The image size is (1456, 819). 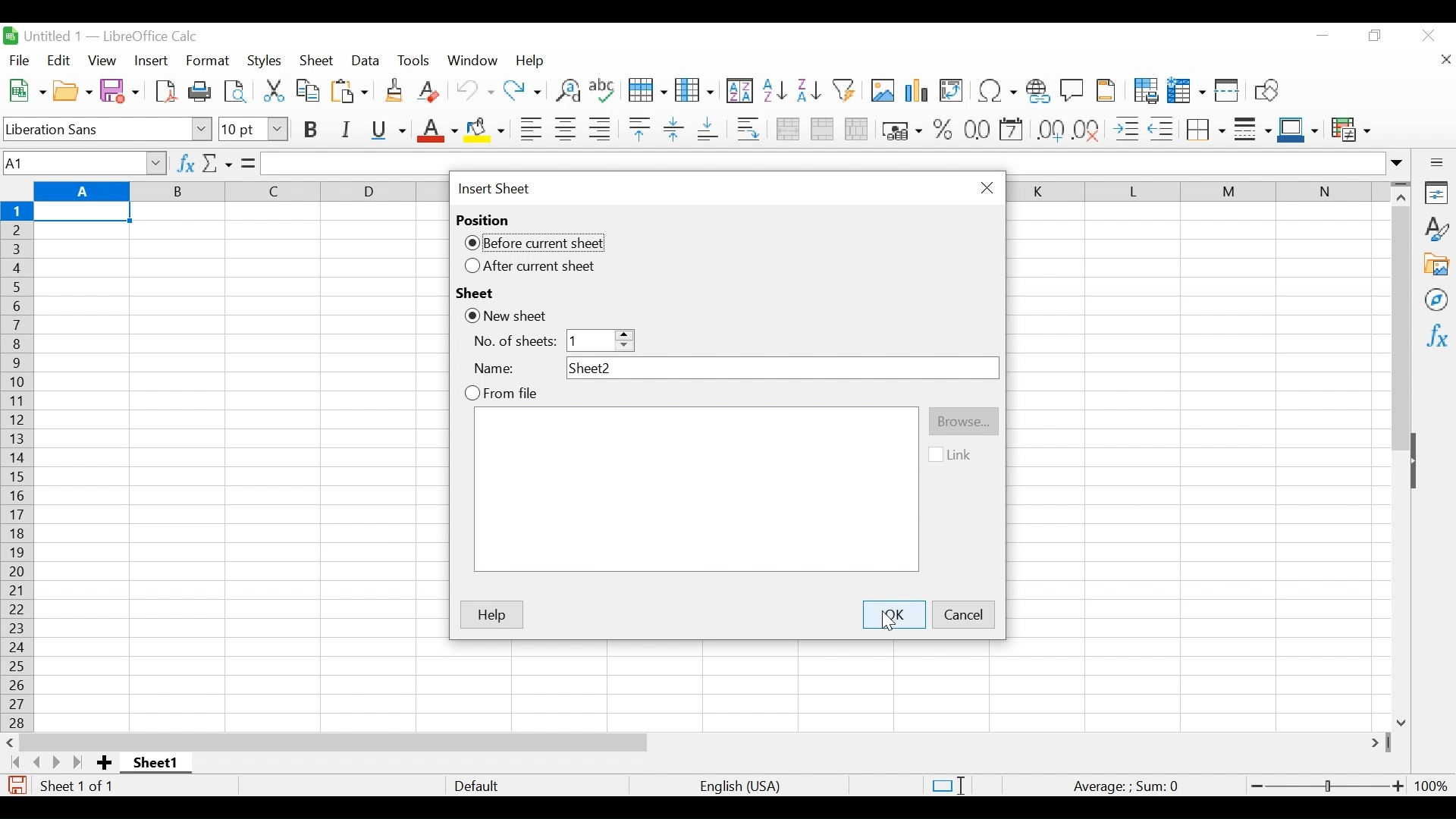 I want to click on Print, so click(x=199, y=89).